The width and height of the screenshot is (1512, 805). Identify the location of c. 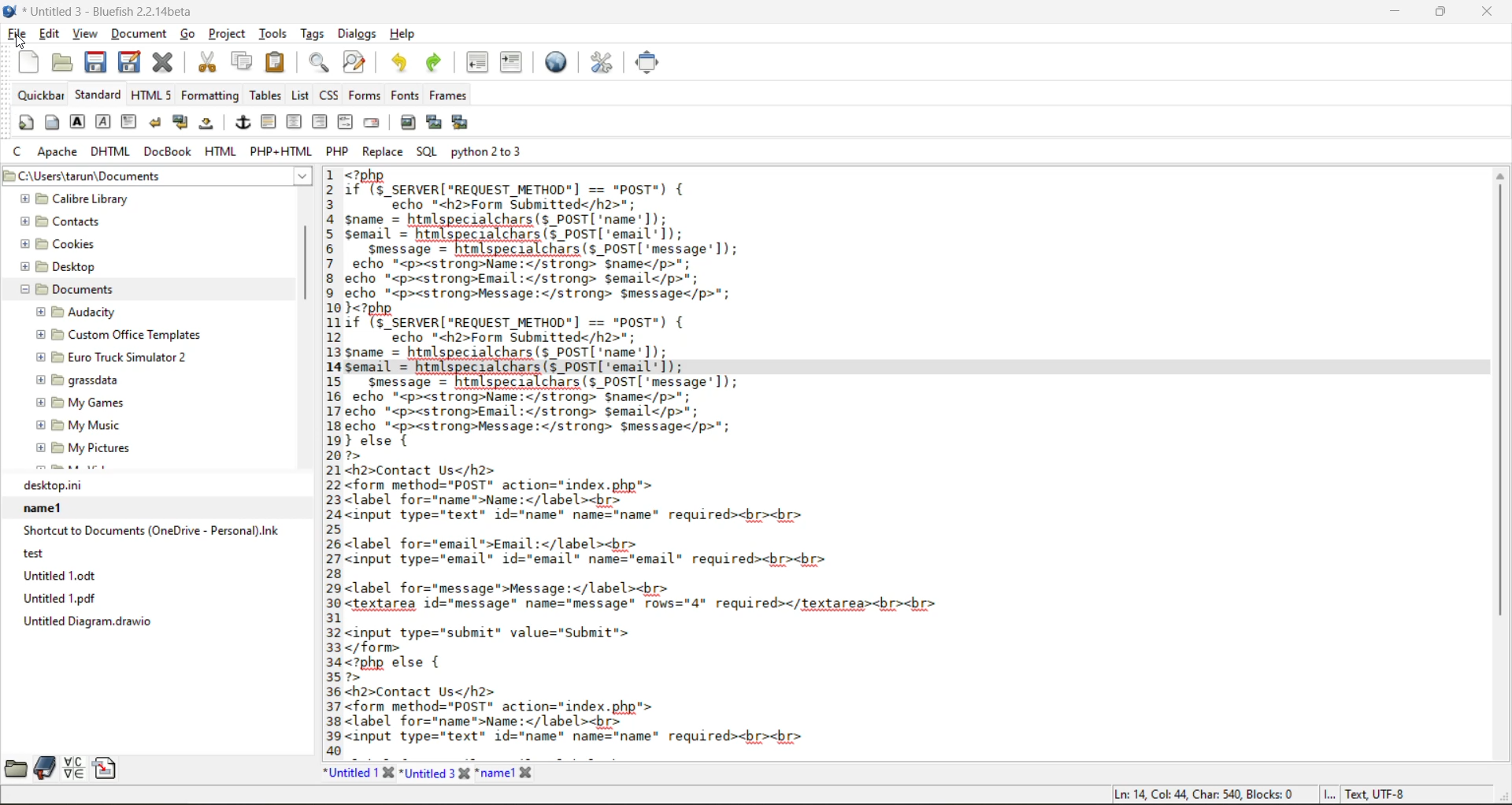
(20, 154).